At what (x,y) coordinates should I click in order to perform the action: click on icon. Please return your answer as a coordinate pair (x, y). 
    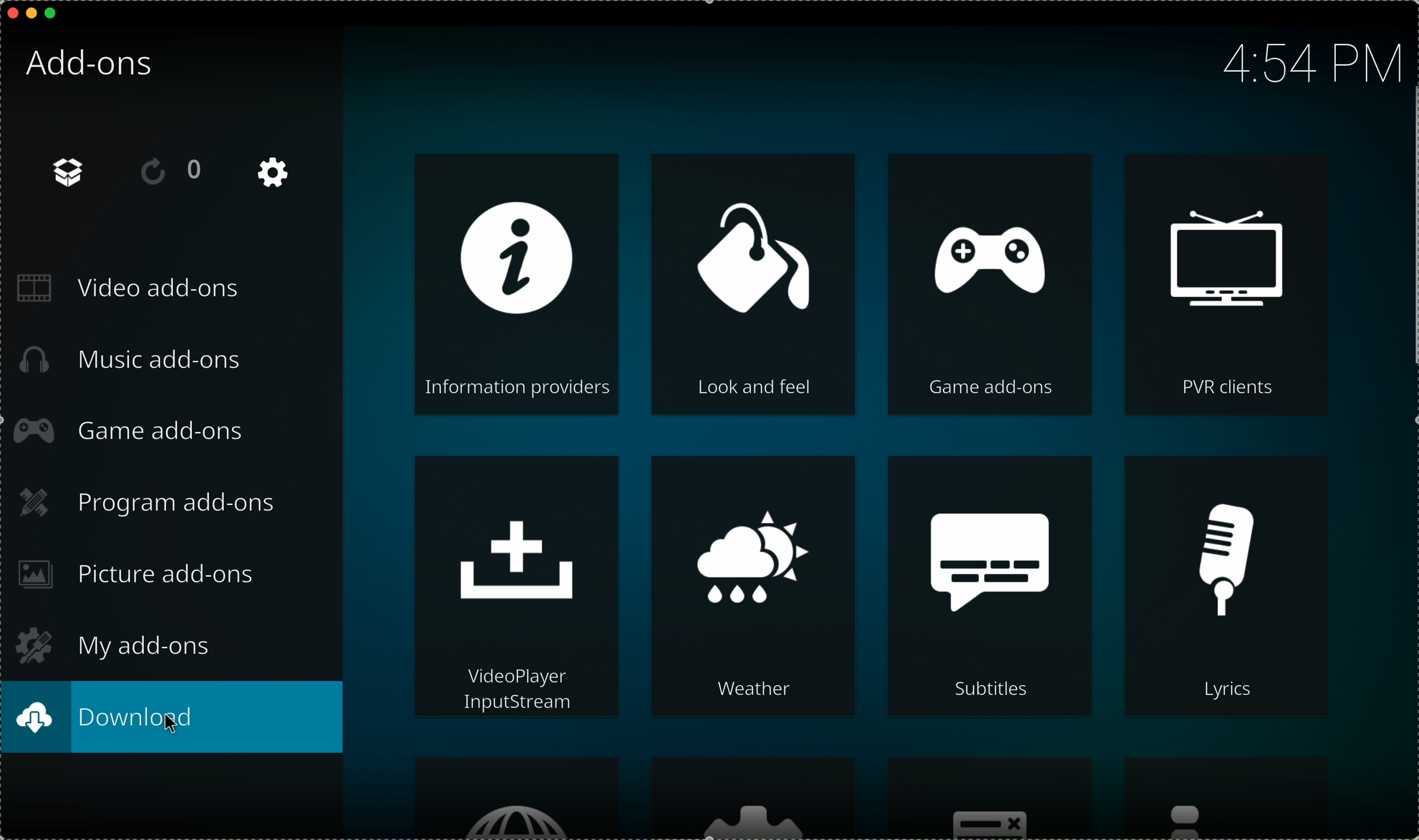
    Looking at the image, I should click on (990, 799).